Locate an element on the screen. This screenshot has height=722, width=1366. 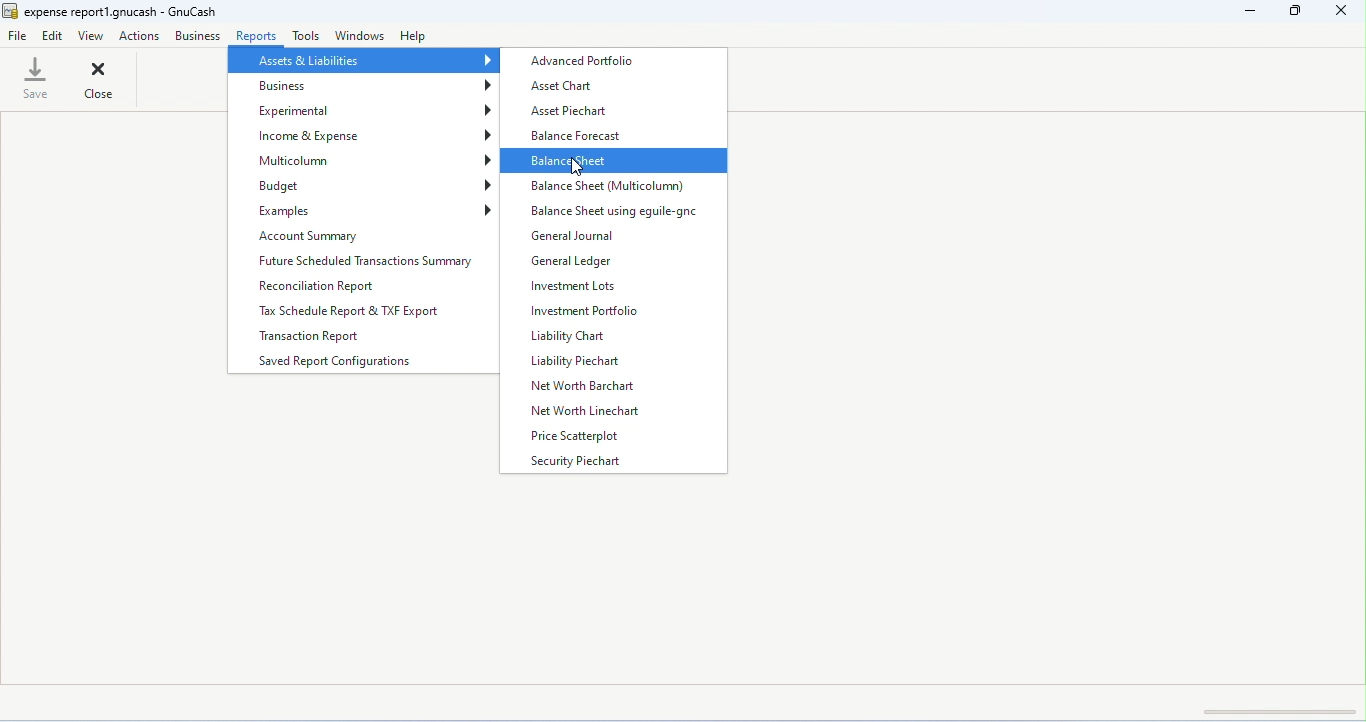
transaction report is located at coordinates (318, 338).